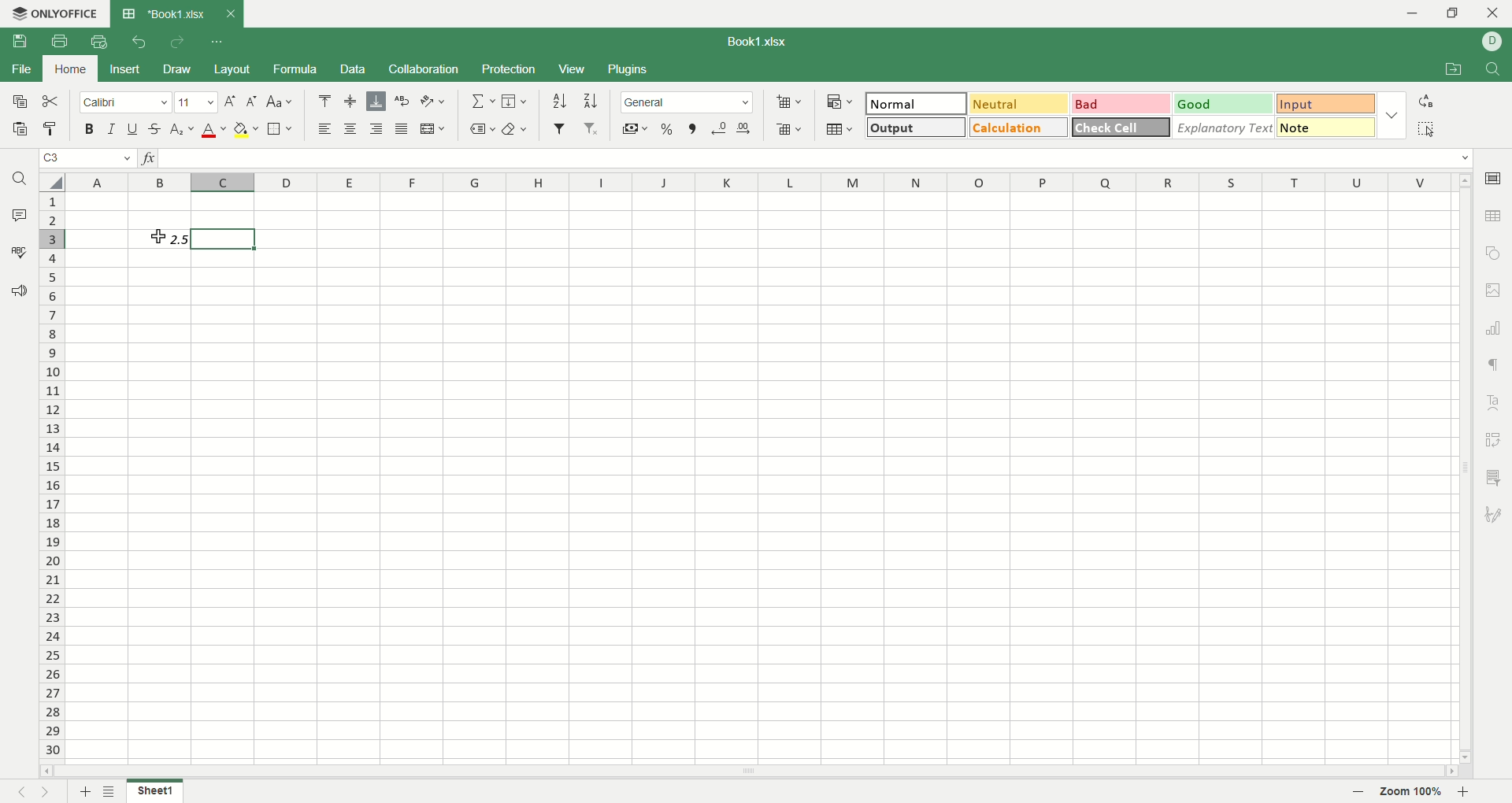 Image resolution: width=1512 pixels, height=803 pixels. I want to click on paste, so click(18, 128).